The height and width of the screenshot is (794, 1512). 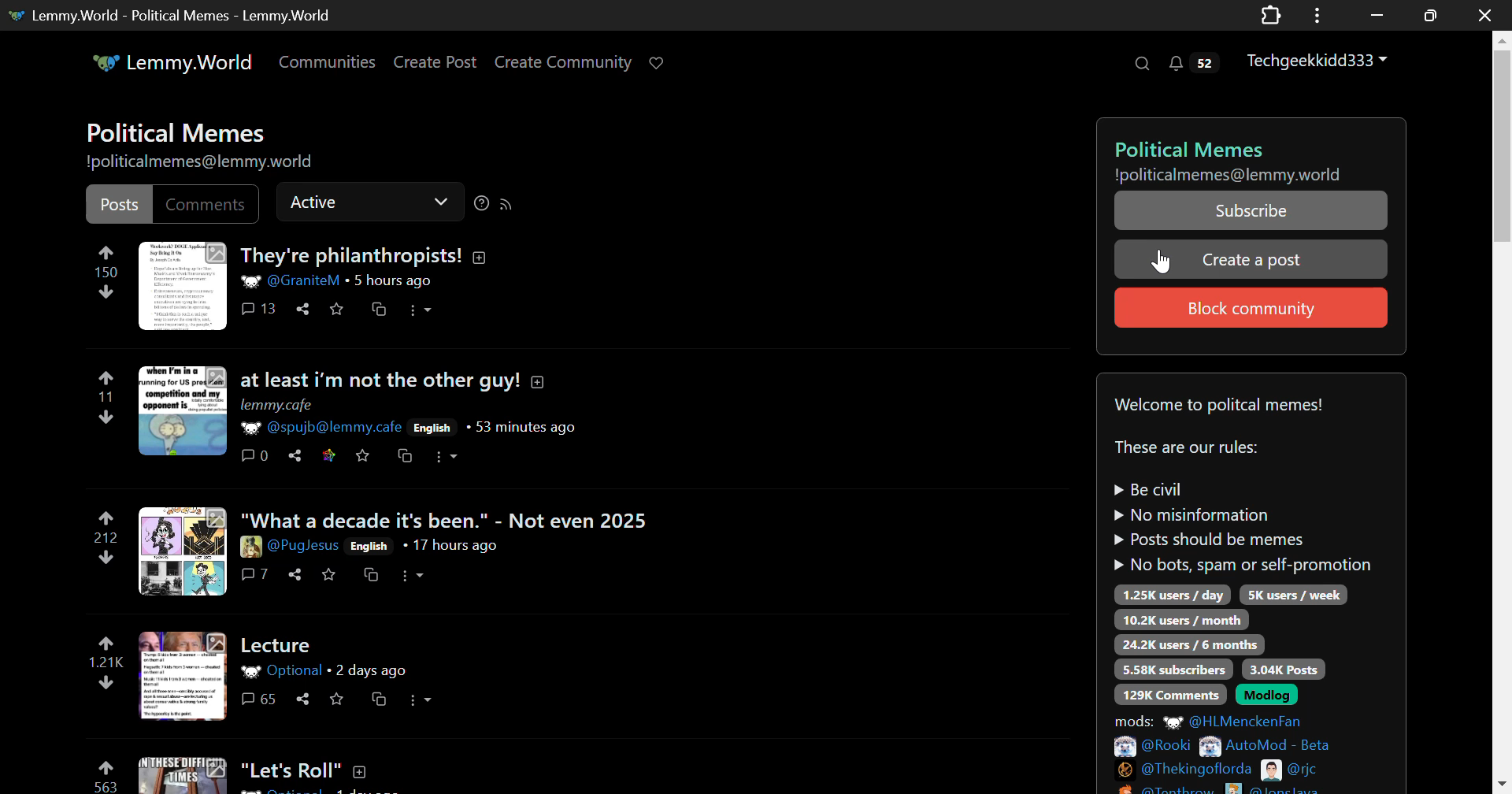 I want to click on Donate to Lemmy, so click(x=660, y=61).